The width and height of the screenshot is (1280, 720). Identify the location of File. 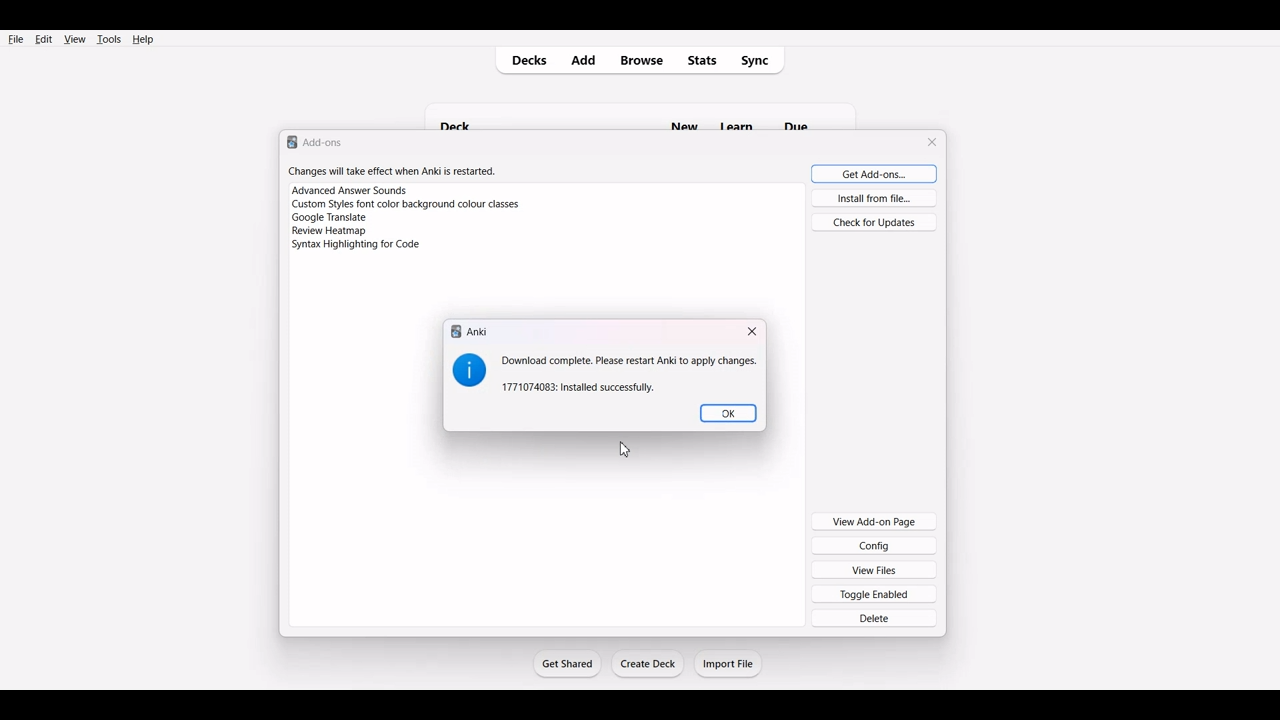
(16, 38).